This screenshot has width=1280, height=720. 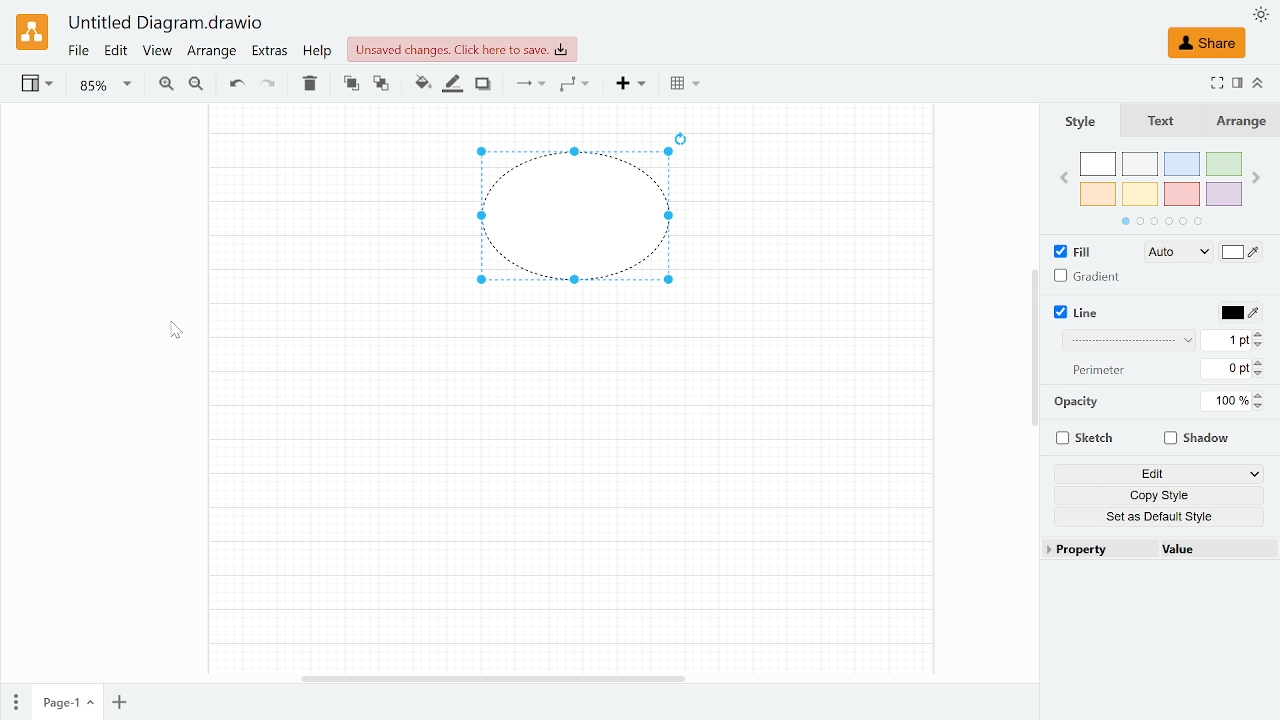 What do you see at coordinates (1199, 440) in the screenshot?
I see `Shadow` at bounding box center [1199, 440].